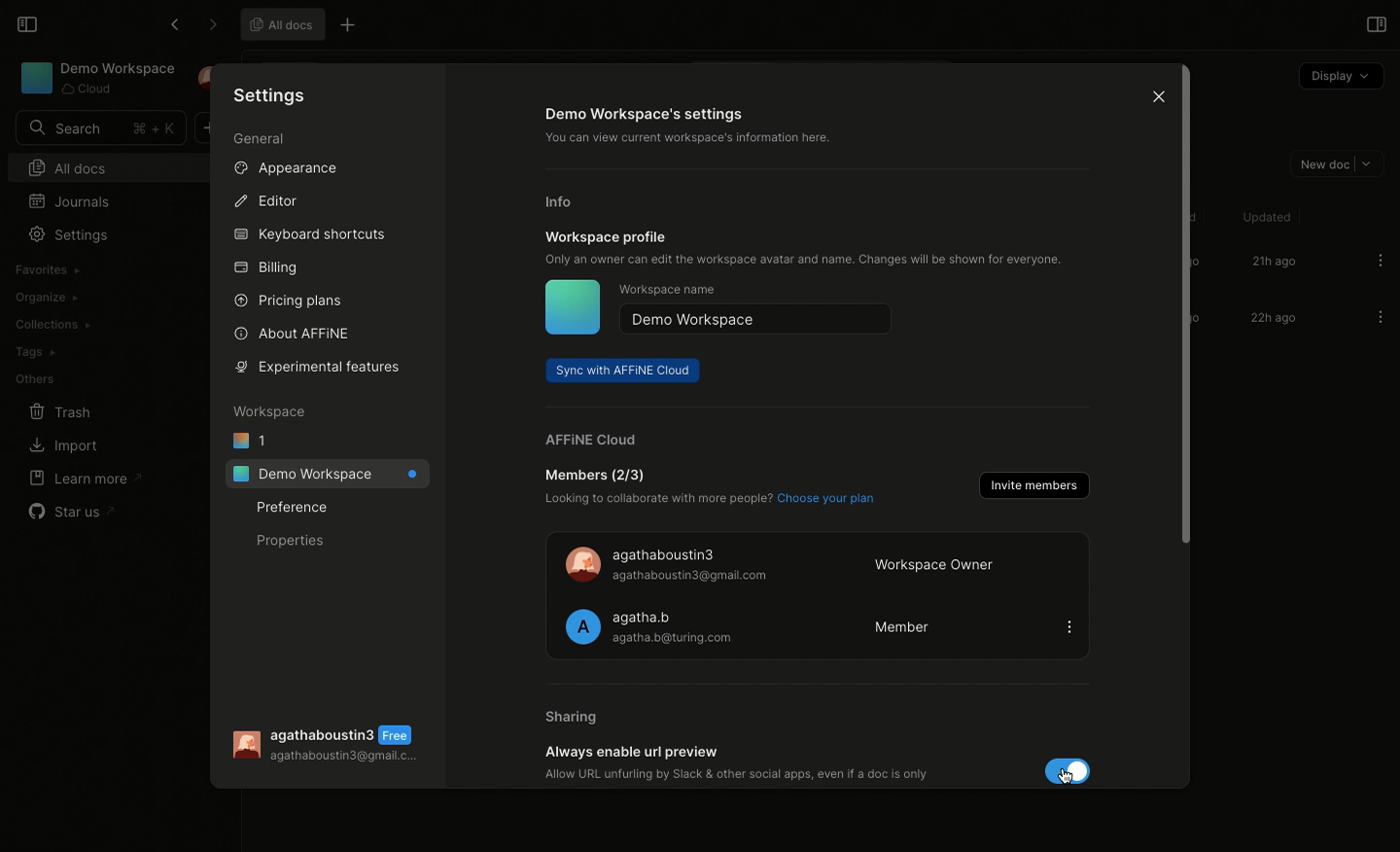 This screenshot has width=1400, height=852. I want to click on Workspace profile, so click(804, 249).